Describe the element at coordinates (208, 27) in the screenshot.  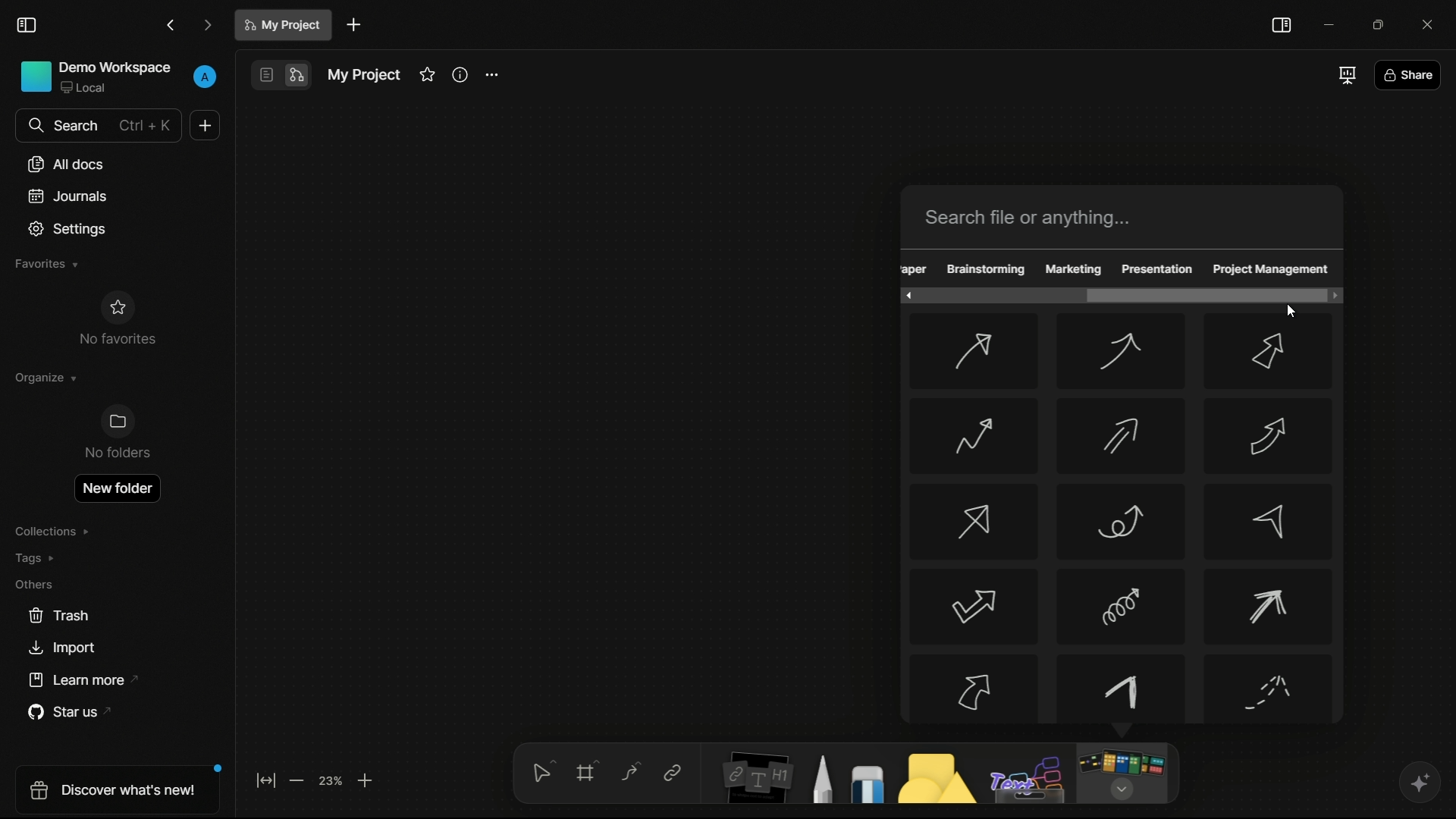
I see `forward` at that location.